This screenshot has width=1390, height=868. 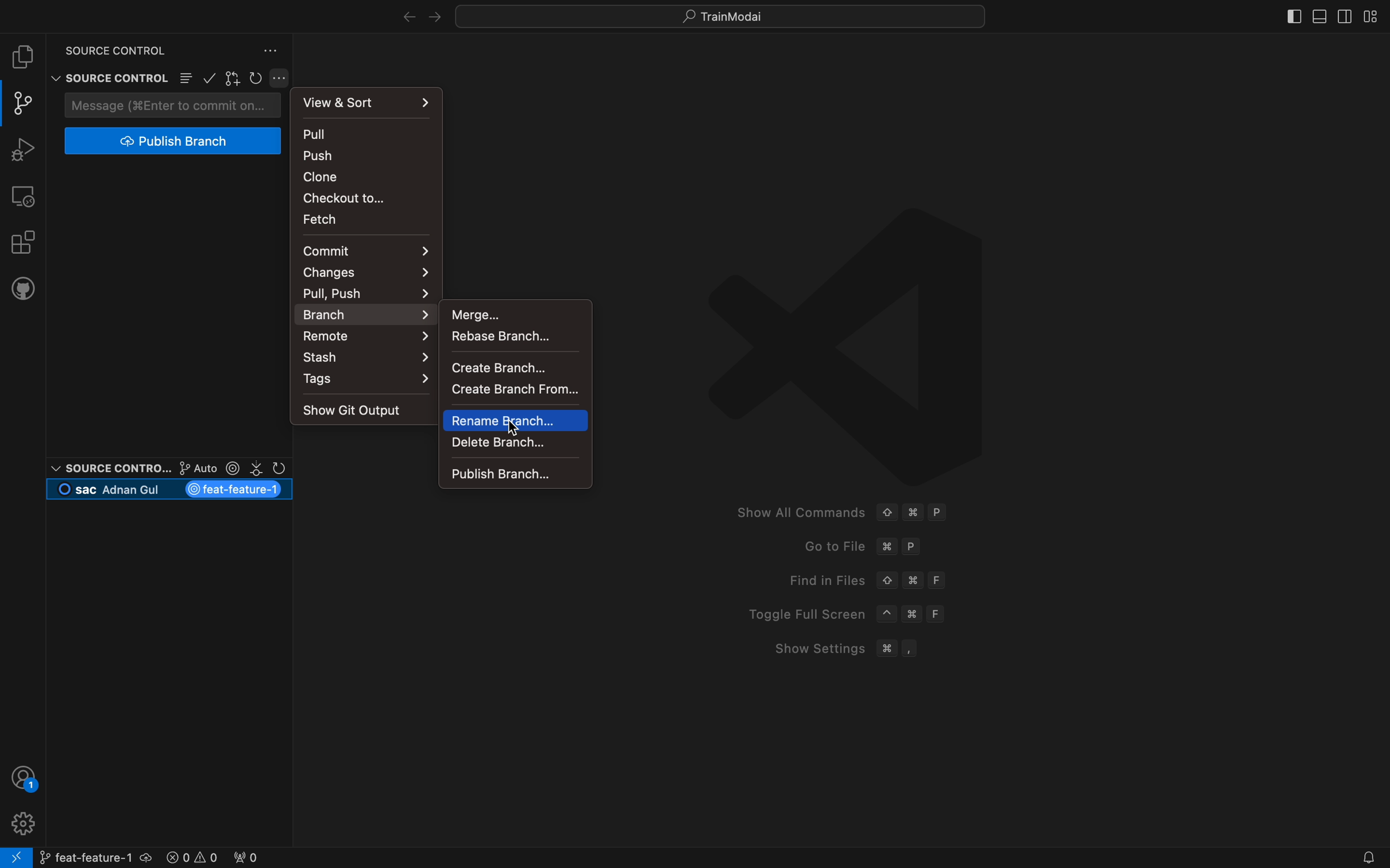 What do you see at coordinates (841, 343) in the screenshot?
I see `VScode logo` at bounding box center [841, 343].